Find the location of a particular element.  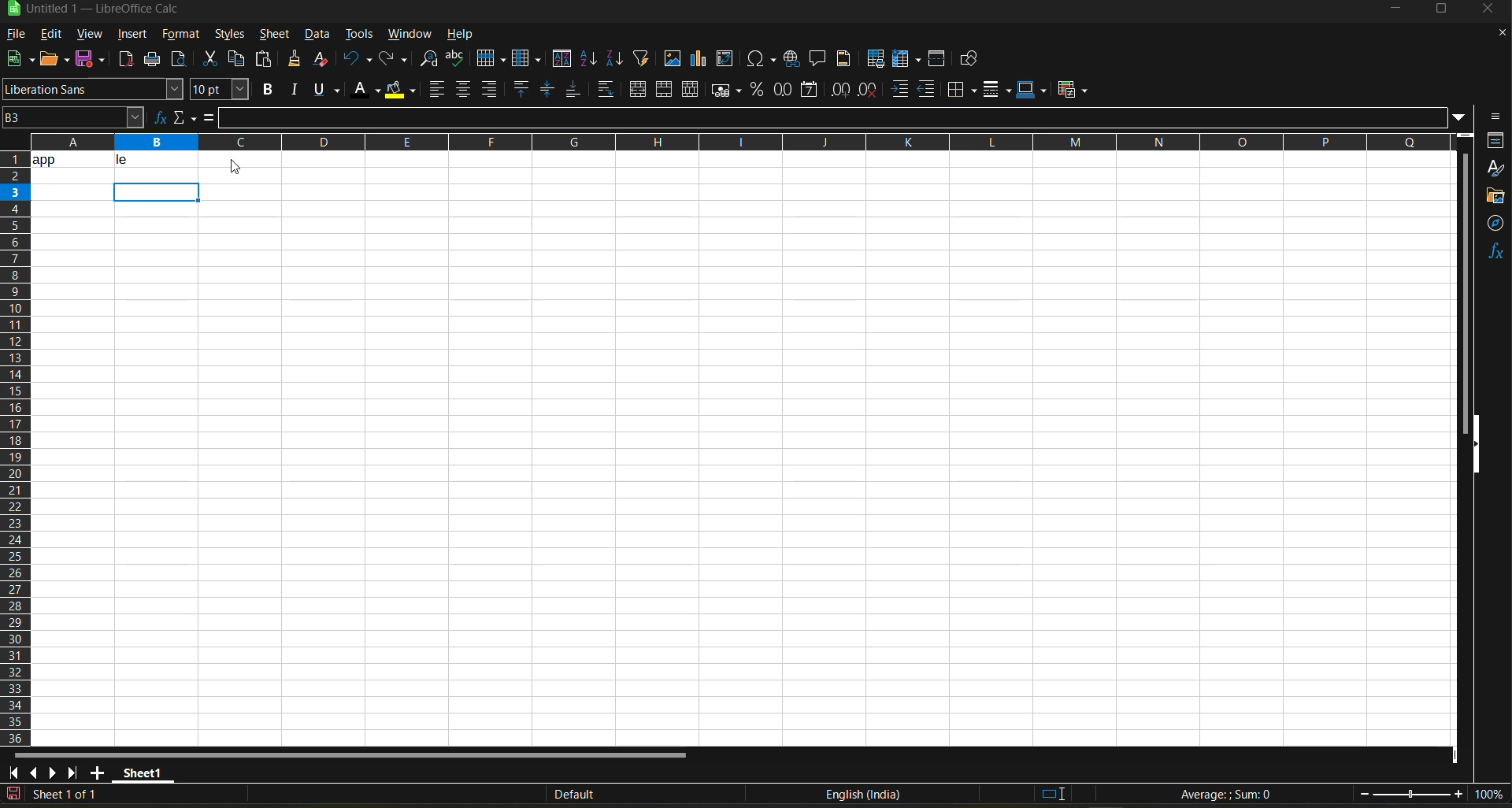

format as date is located at coordinates (813, 91).